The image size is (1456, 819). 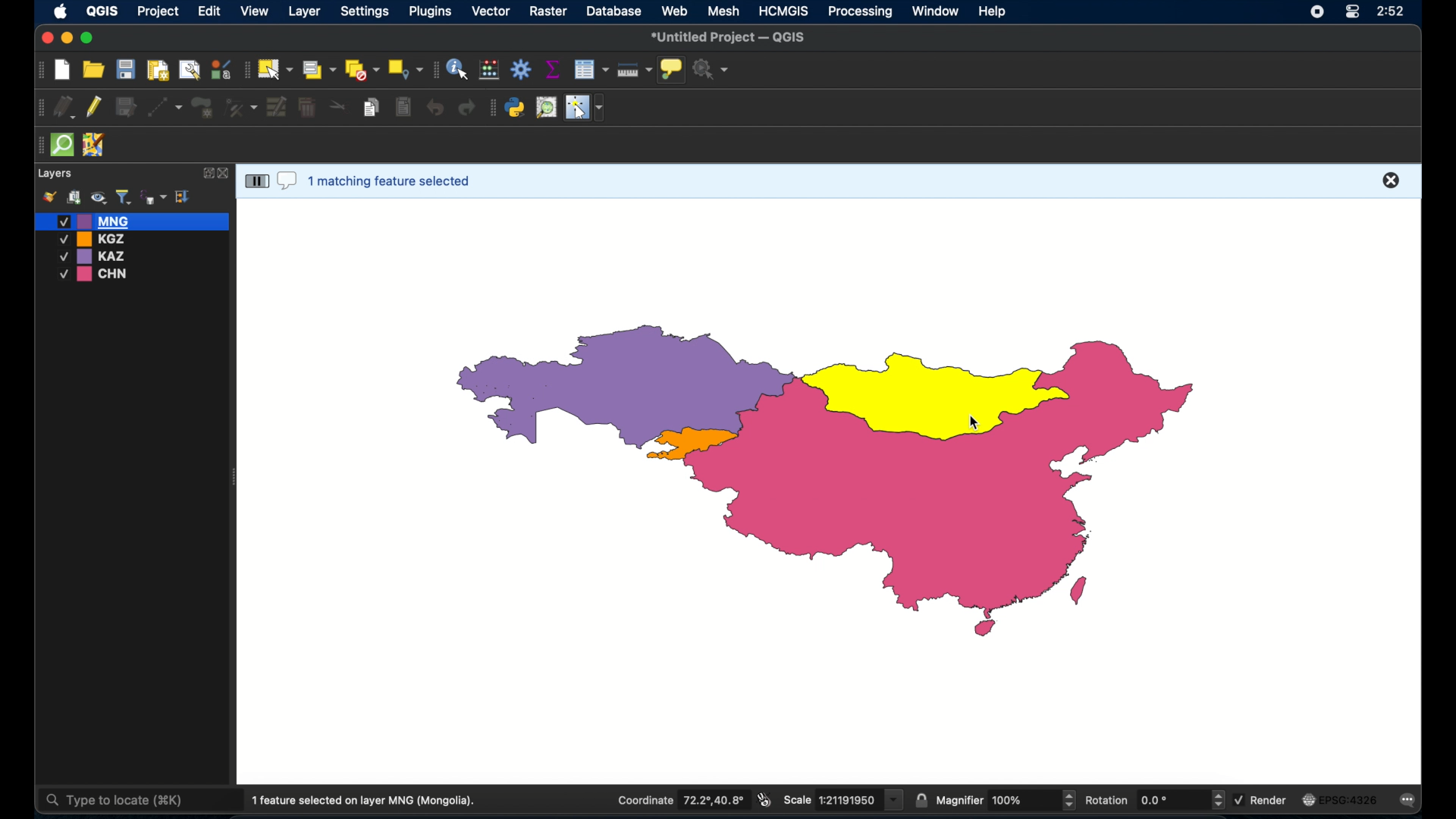 What do you see at coordinates (364, 12) in the screenshot?
I see `settings` at bounding box center [364, 12].